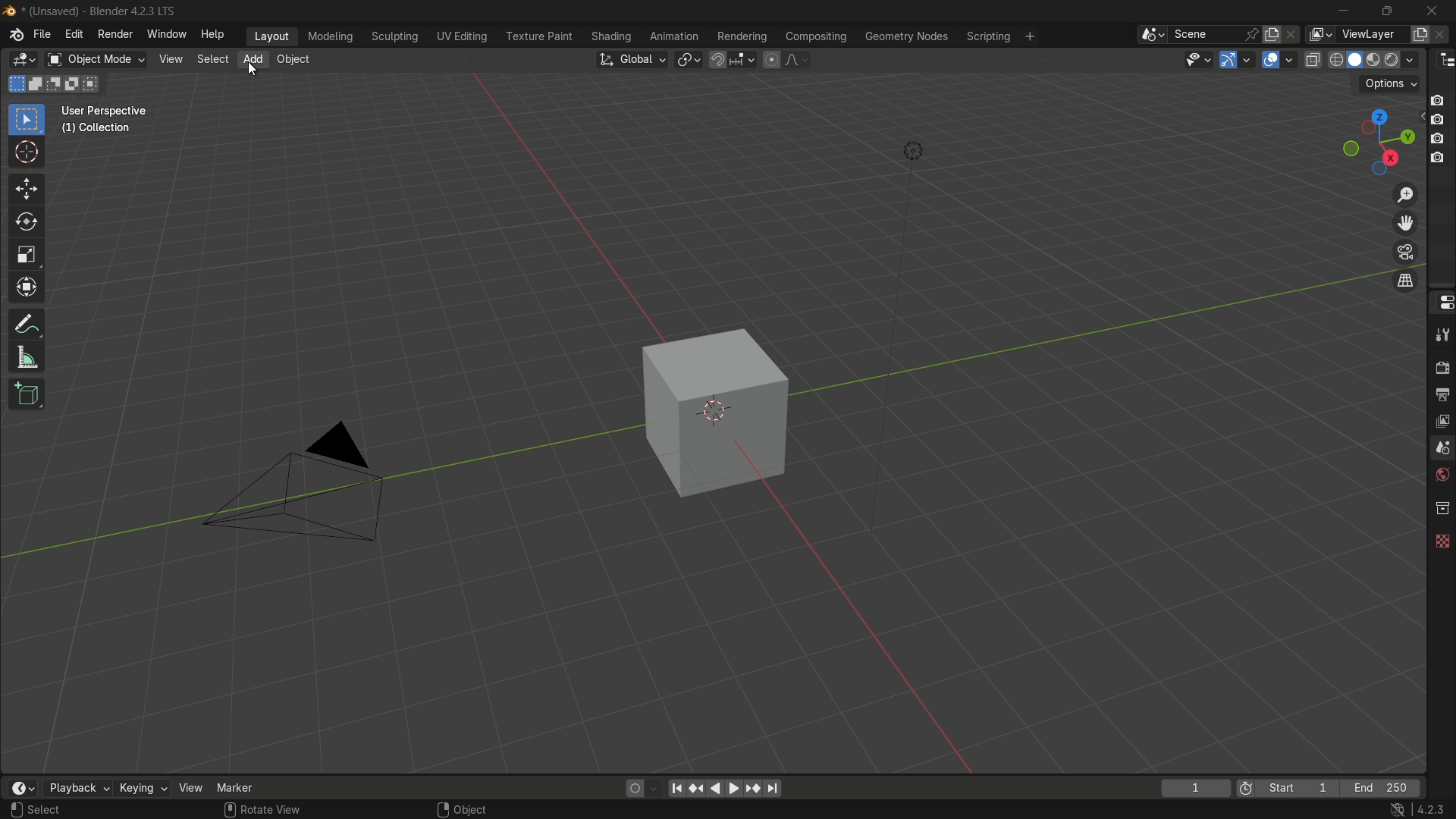 This screenshot has height=819, width=1456. I want to click on cursor, so click(253, 70).